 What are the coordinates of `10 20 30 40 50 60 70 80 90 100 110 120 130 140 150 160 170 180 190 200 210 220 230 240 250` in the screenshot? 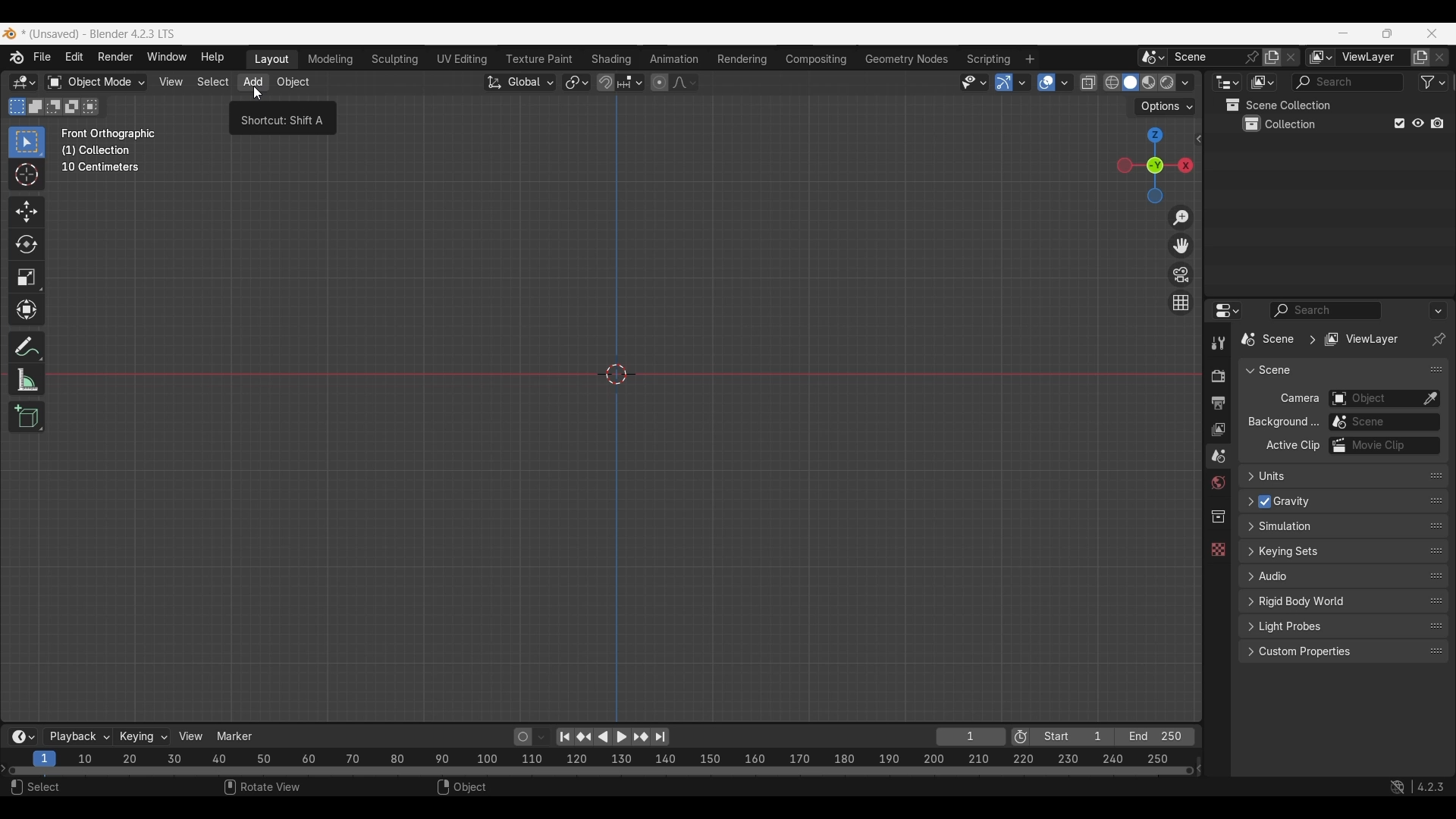 It's located at (627, 757).